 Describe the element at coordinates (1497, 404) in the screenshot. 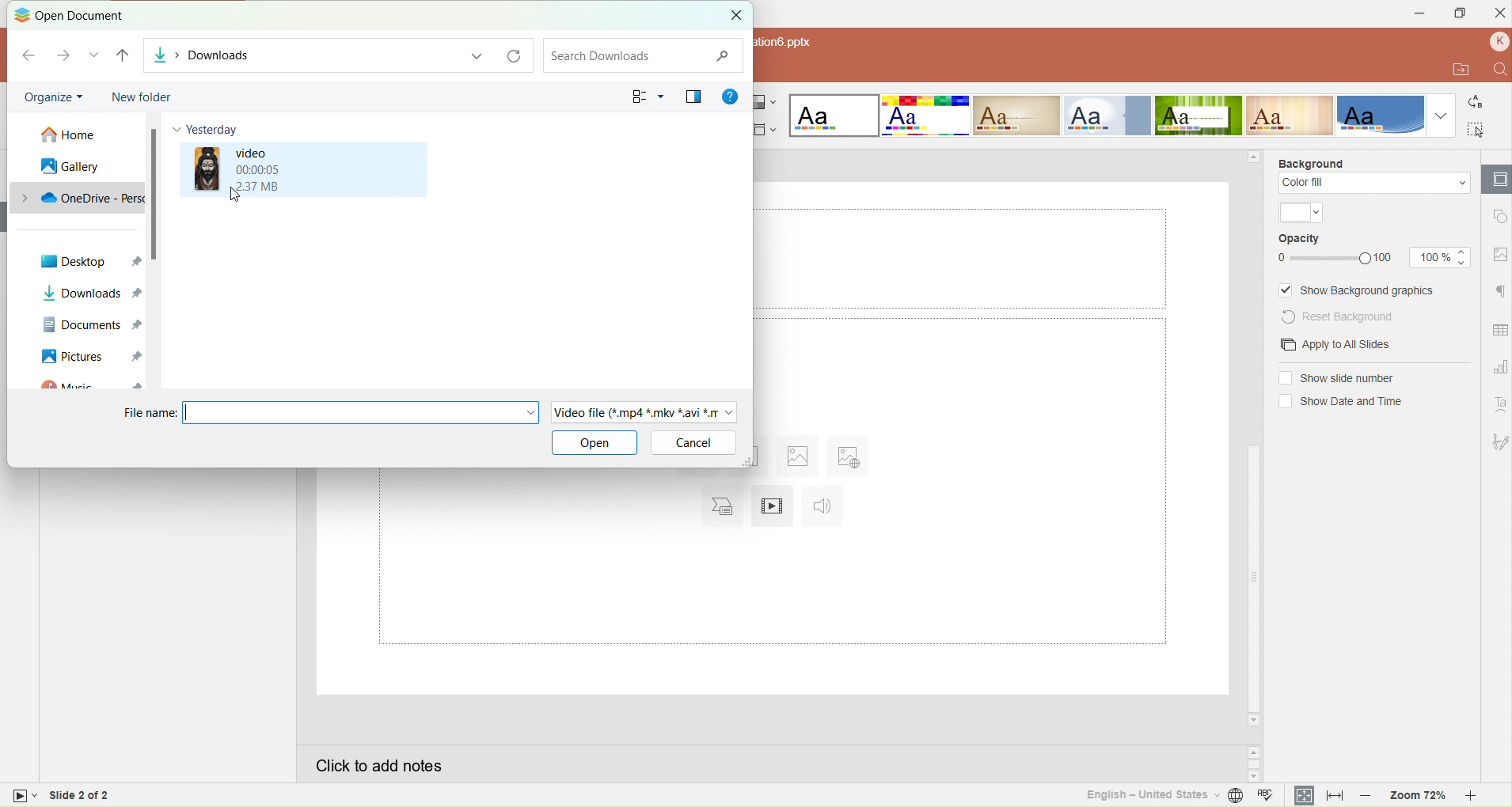

I see `Text ART setting` at that location.